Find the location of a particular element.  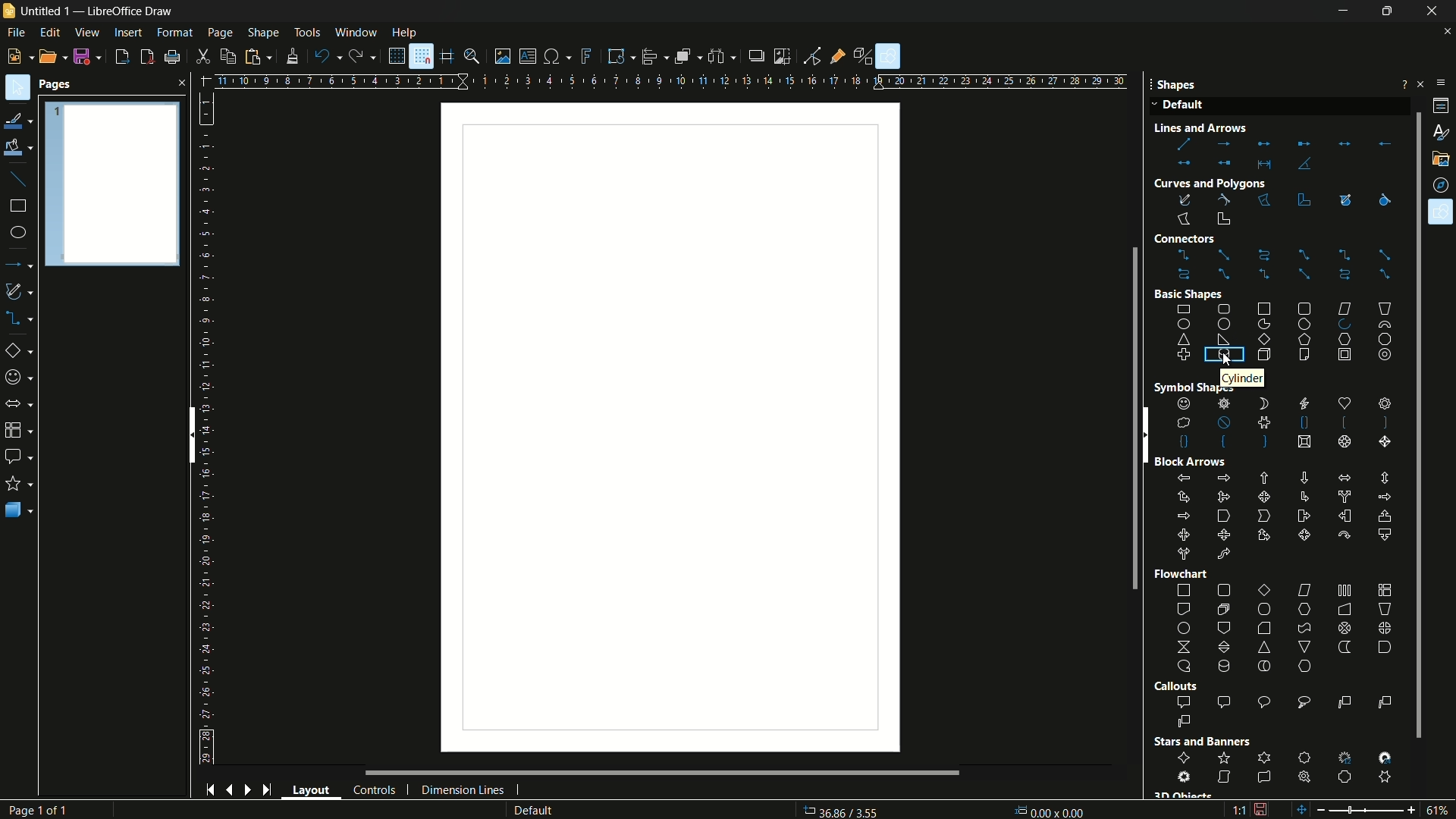

Symbol Shape is located at coordinates (1182, 388).